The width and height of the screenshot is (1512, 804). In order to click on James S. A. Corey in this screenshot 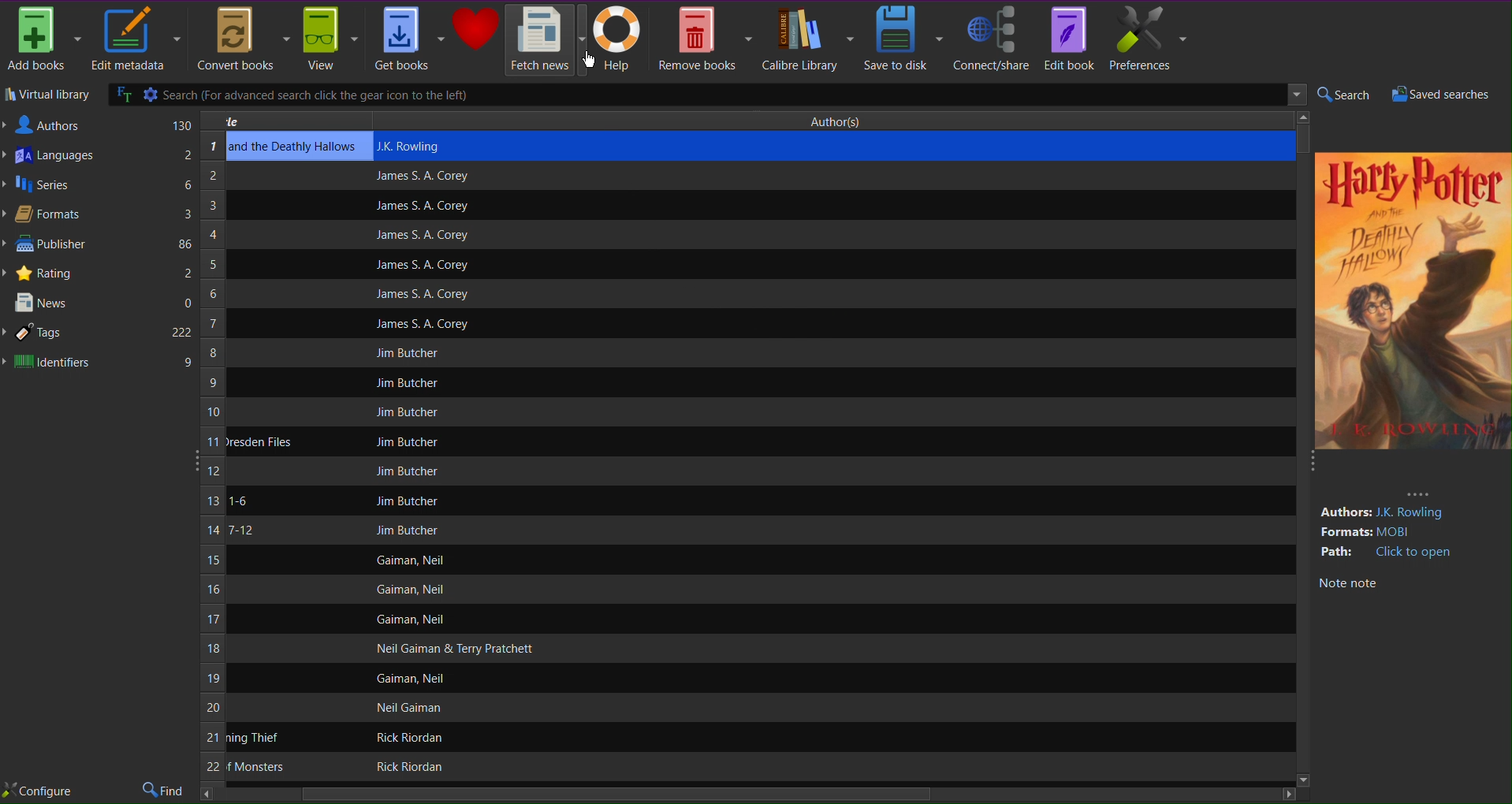, I will do `click(422, 326)`.